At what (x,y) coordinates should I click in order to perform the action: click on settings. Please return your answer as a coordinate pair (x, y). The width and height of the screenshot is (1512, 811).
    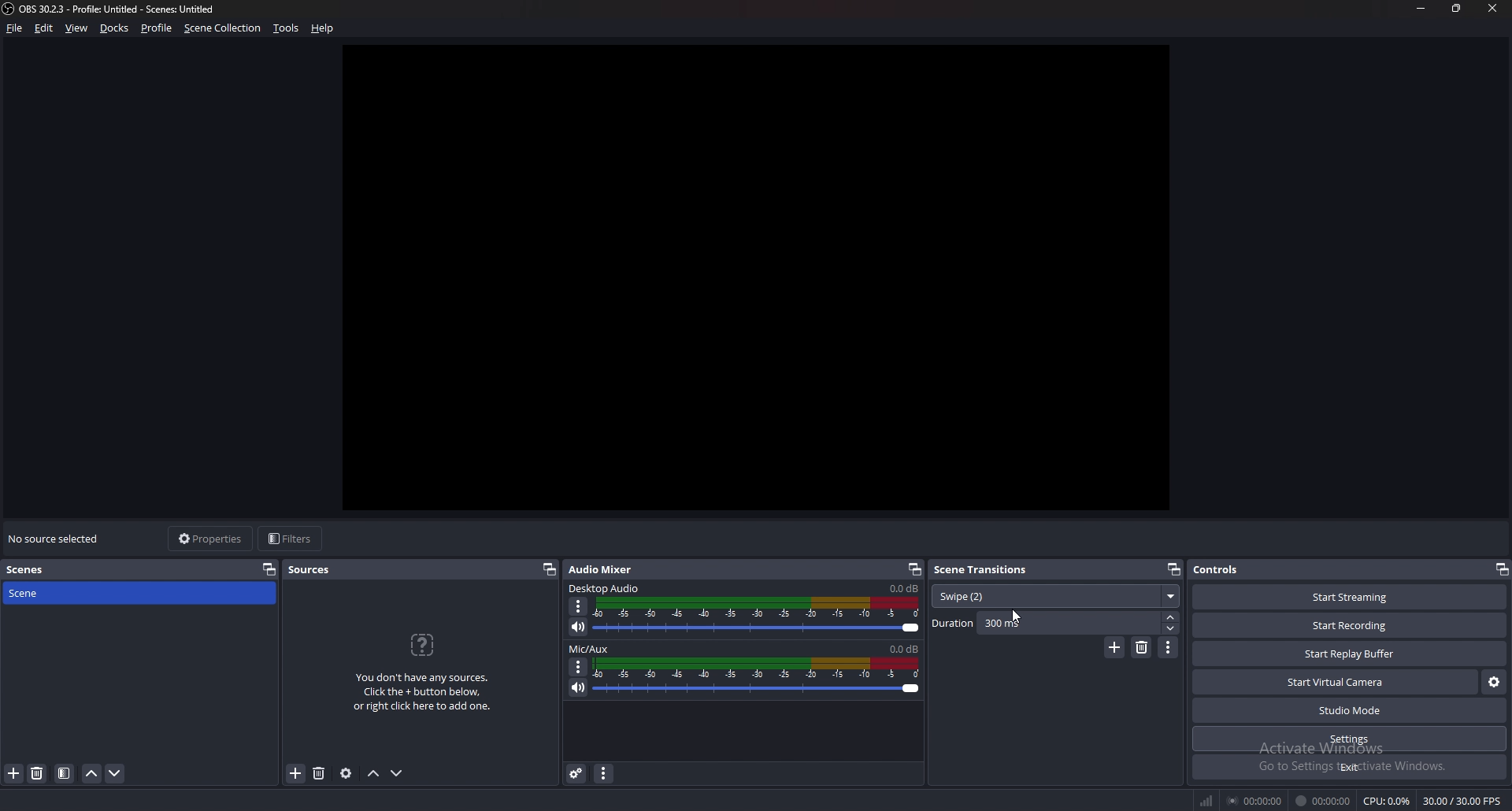
    Looking at the image, I should click on (1351, 739).